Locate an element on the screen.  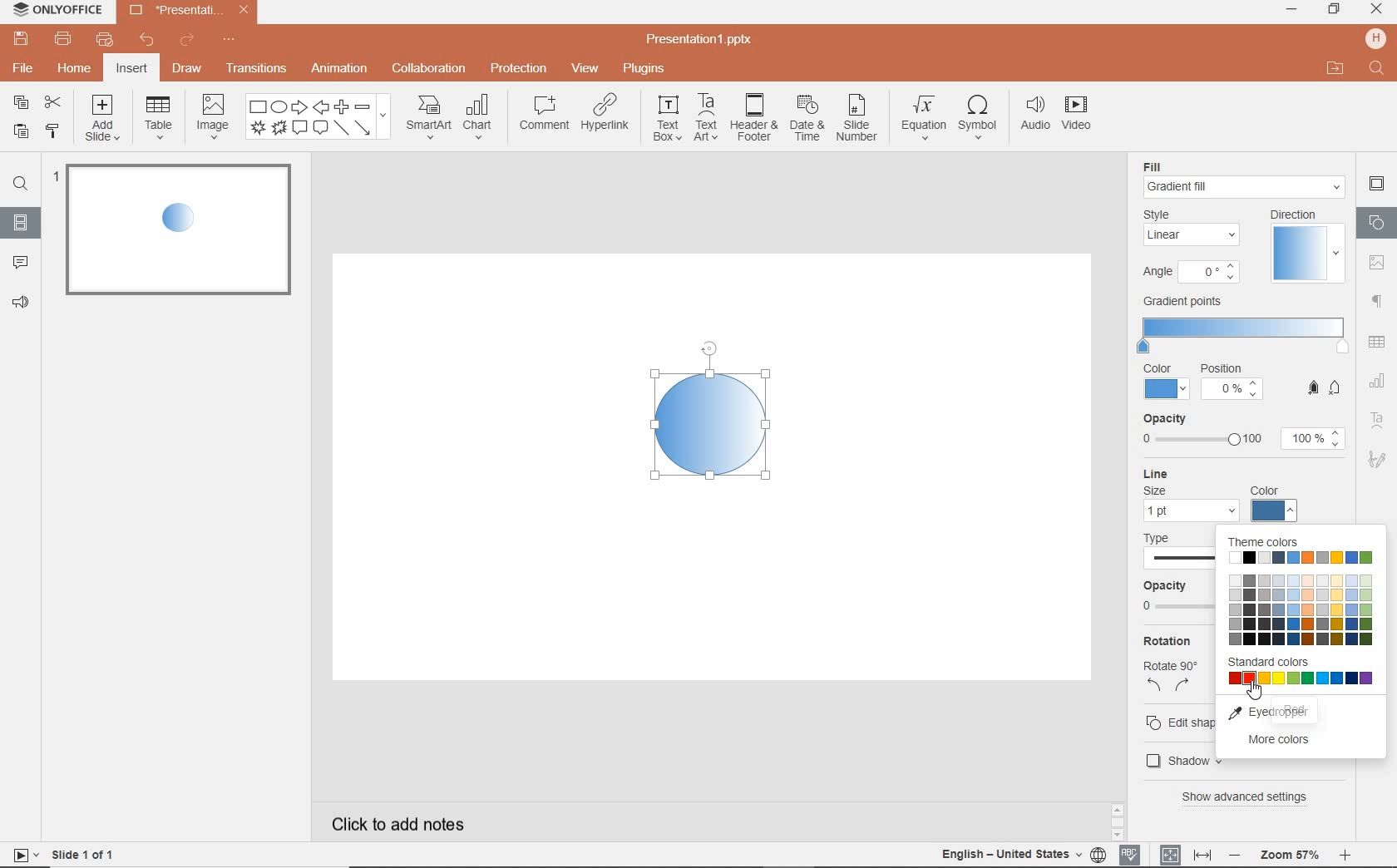
copy style is located at coordinates (52, 133).